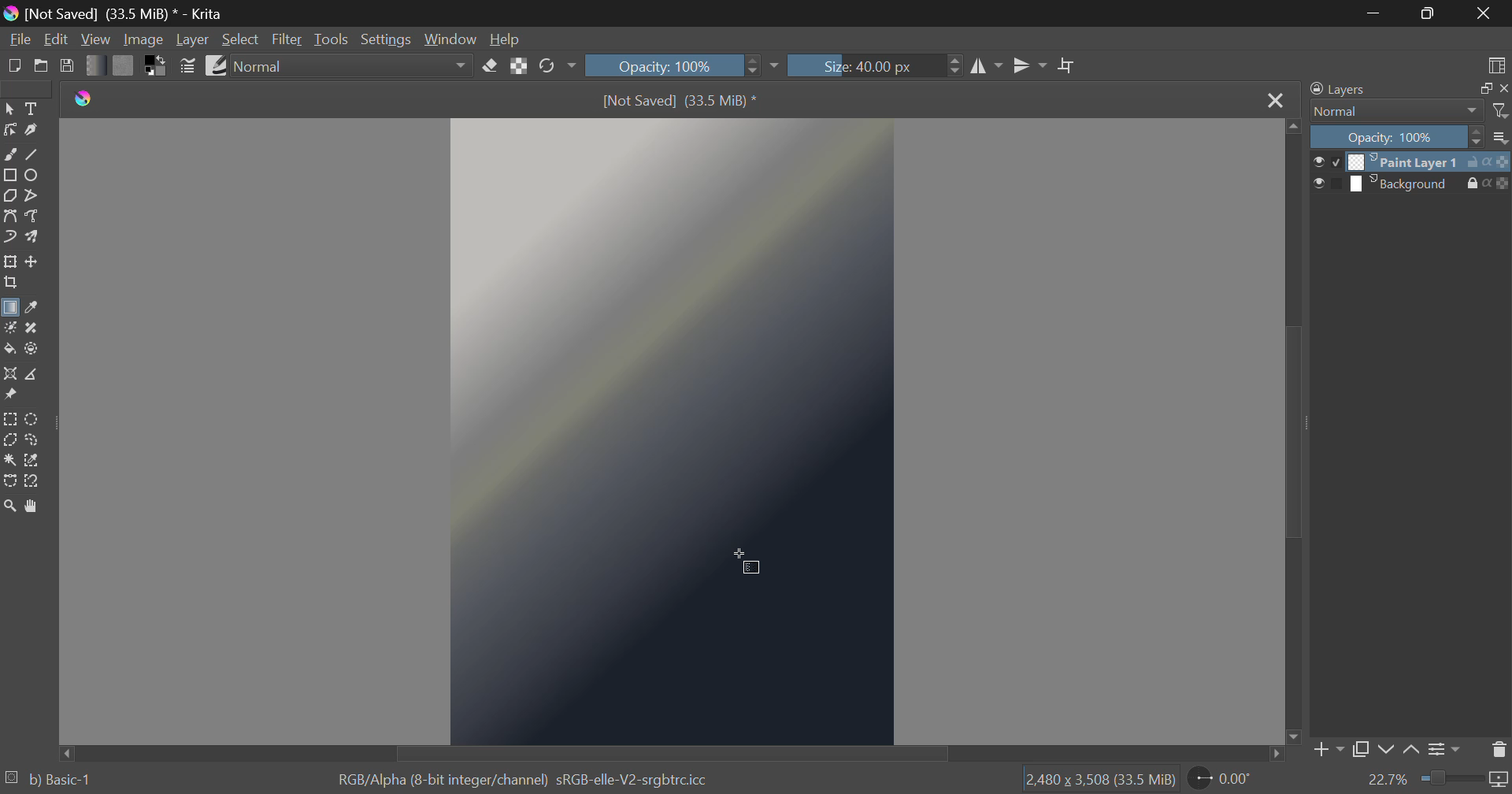 This screenshot has height=794, width=1512. I want to click on Image, so click(142, 39).